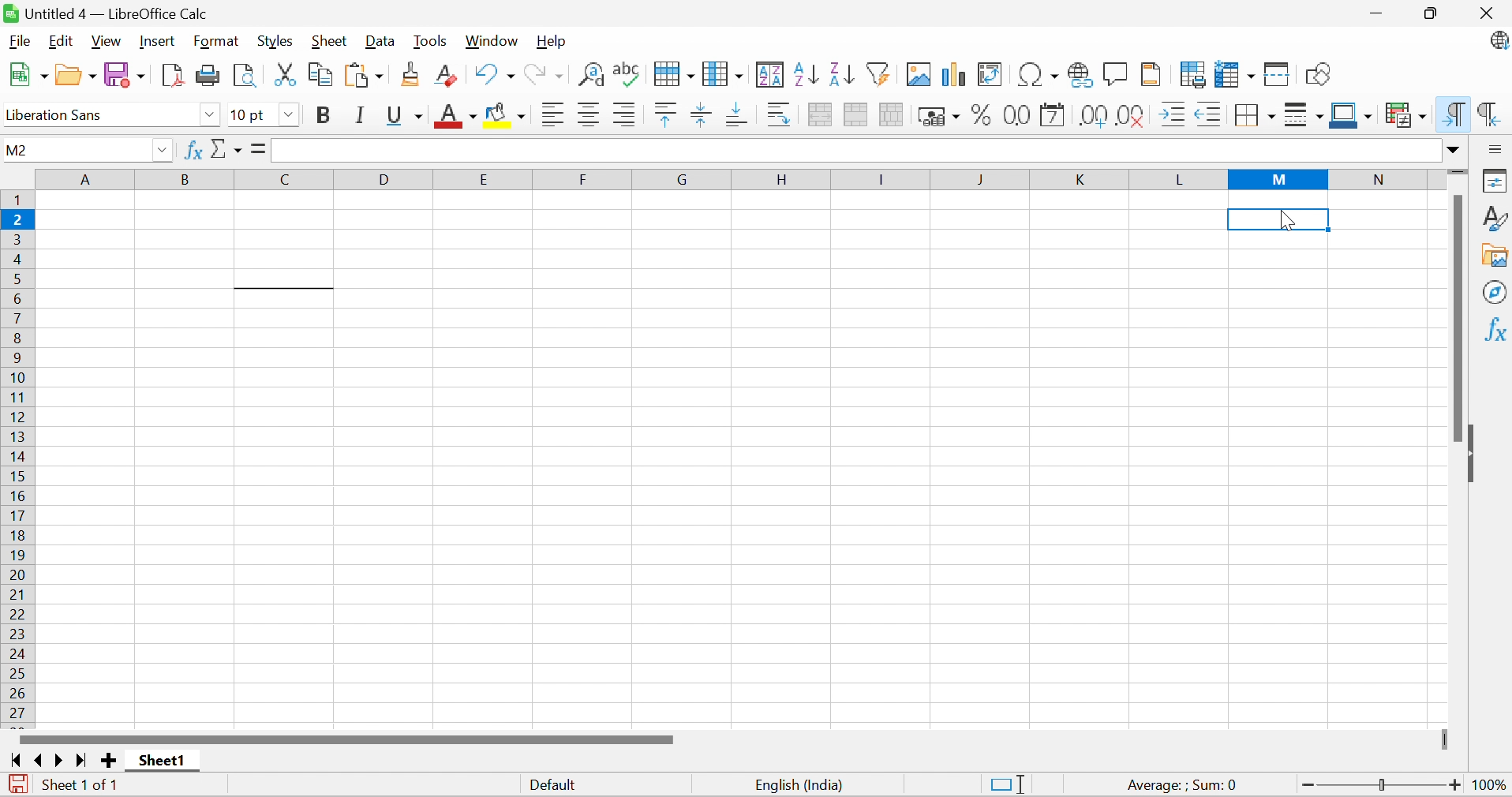  Describe the element at coordinates (740, 114) in the screenshot. I see `Align bottom` at that location.